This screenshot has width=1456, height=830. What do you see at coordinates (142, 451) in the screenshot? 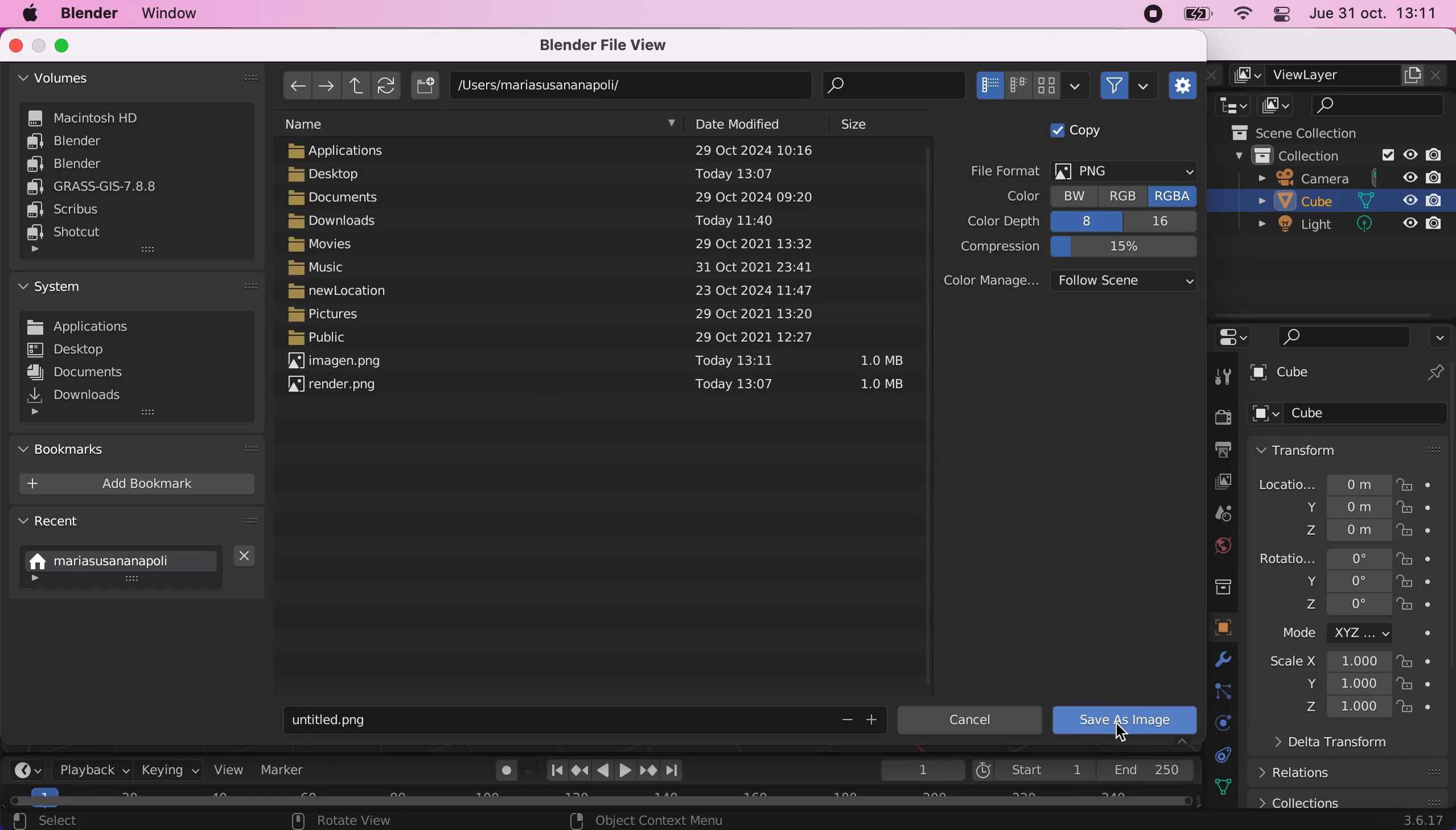
I see `bookmarks` at bounding box center [142, 451].